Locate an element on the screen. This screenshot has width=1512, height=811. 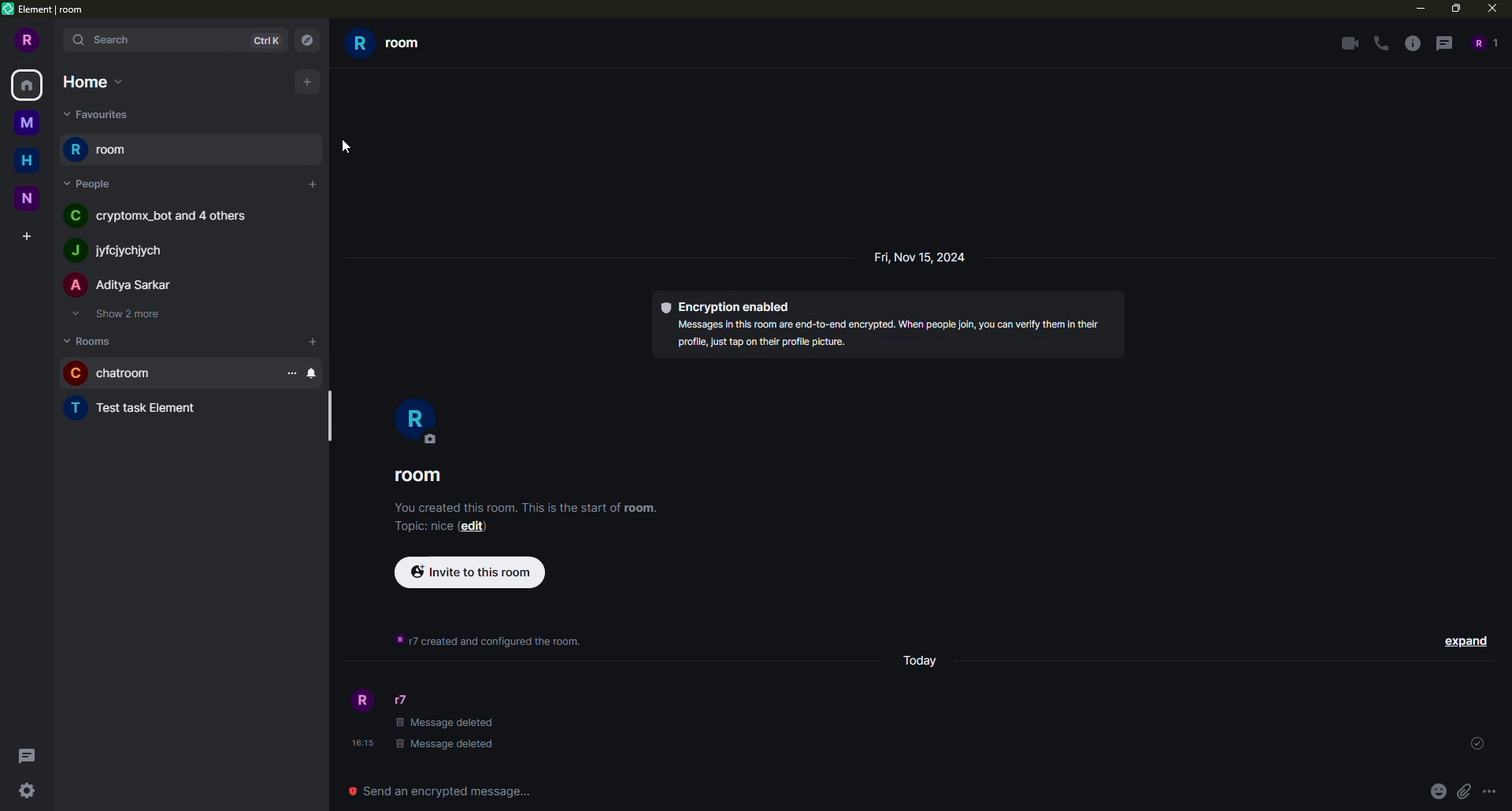
quick settings is located at coordinates (27, 792).